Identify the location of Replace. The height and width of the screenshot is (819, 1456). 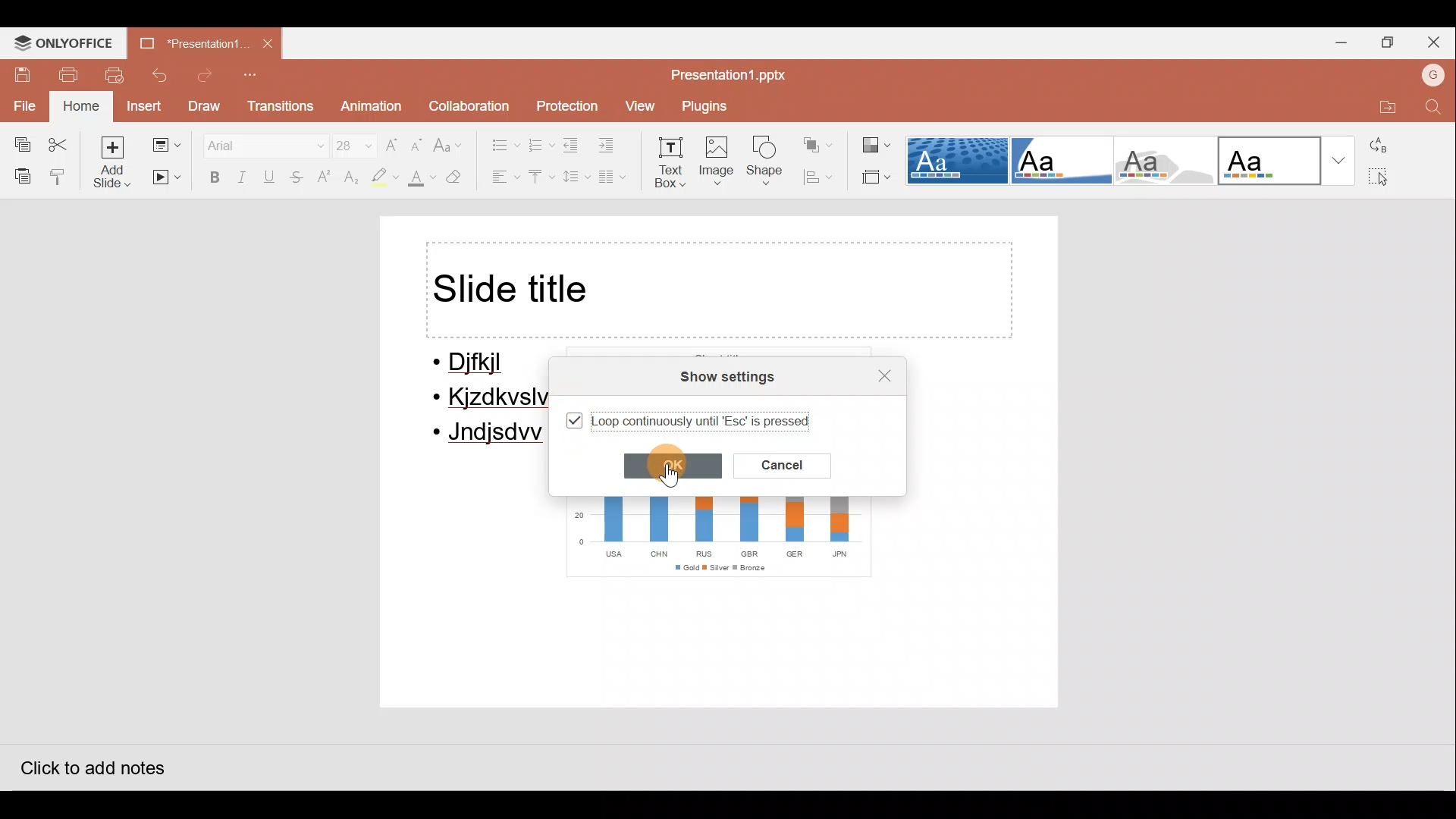
(1387, 149).